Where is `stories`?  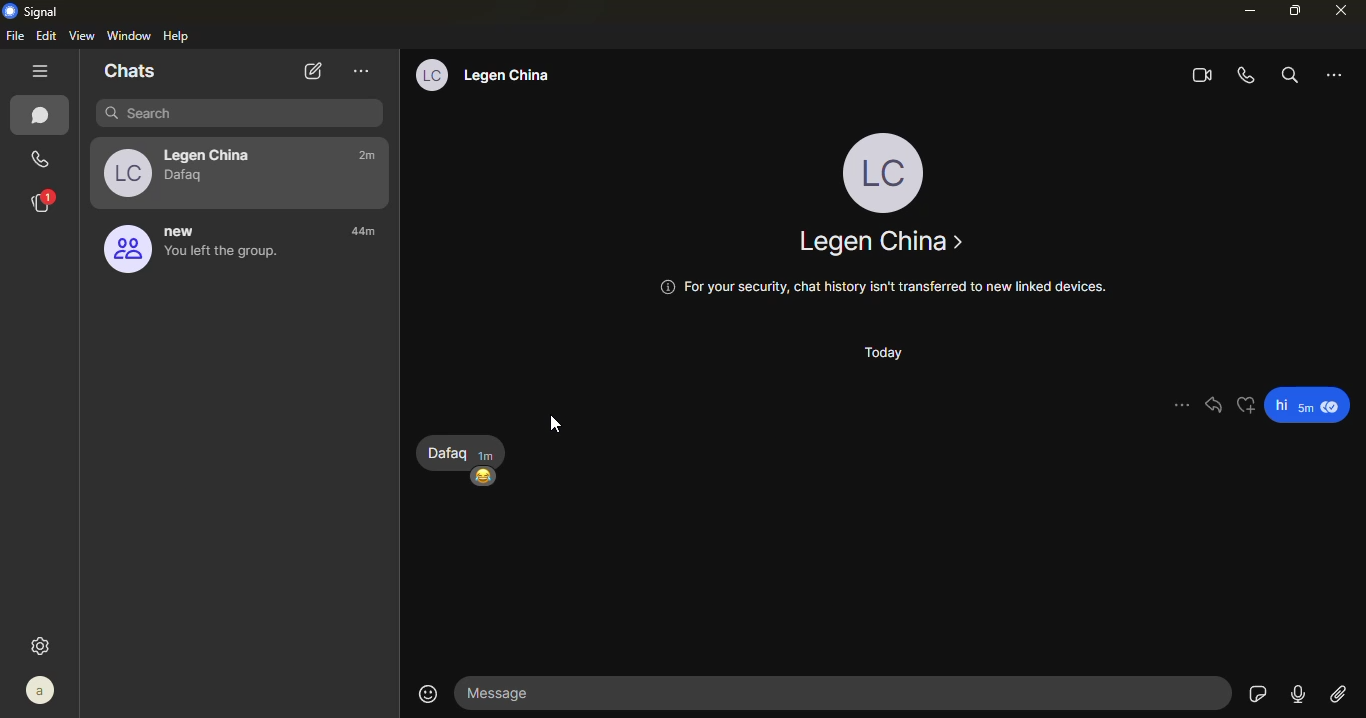 stories is located at coordinates (42, 202).